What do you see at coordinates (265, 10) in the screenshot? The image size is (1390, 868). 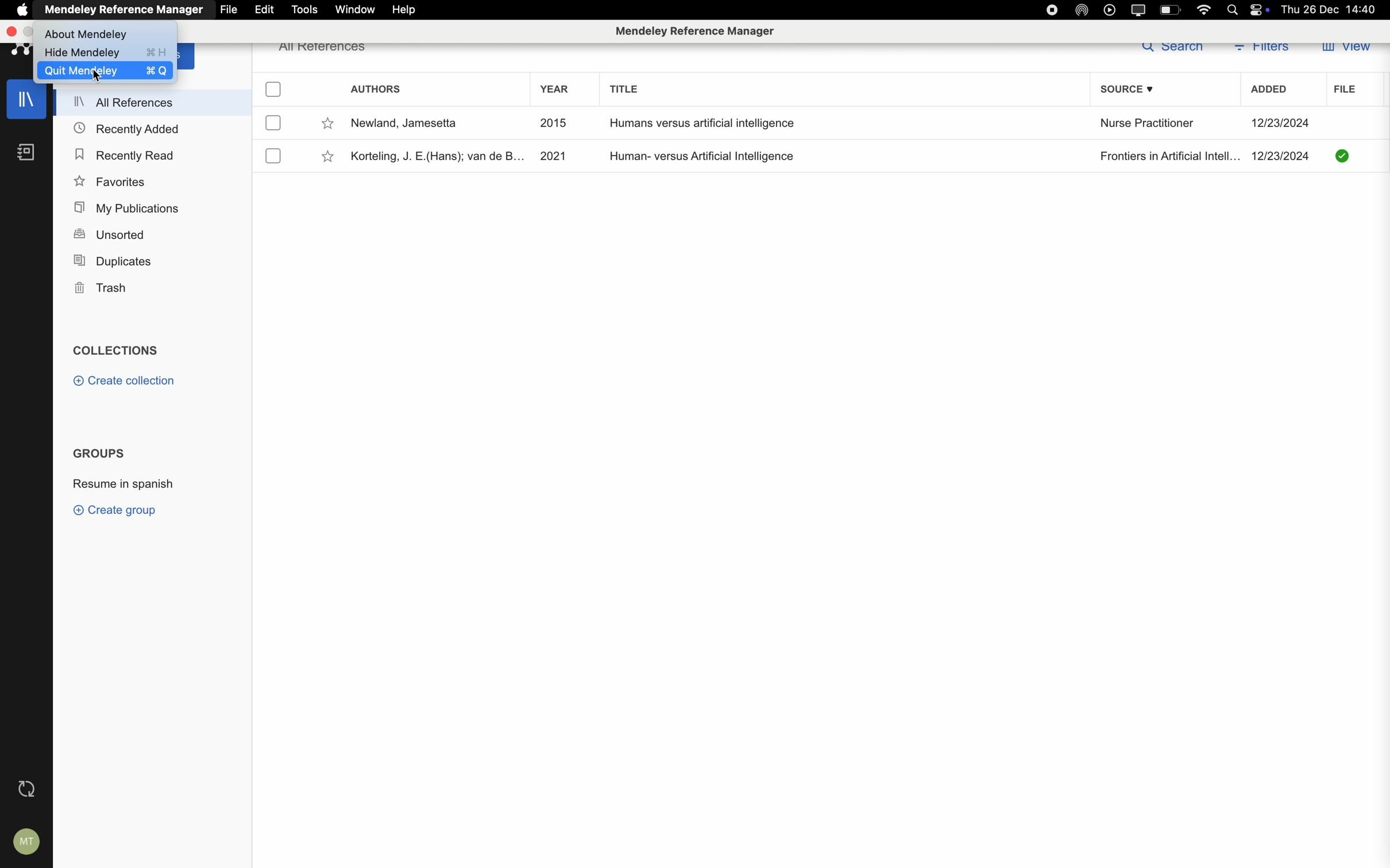 I see `edit` at bounding box center [265, 10].